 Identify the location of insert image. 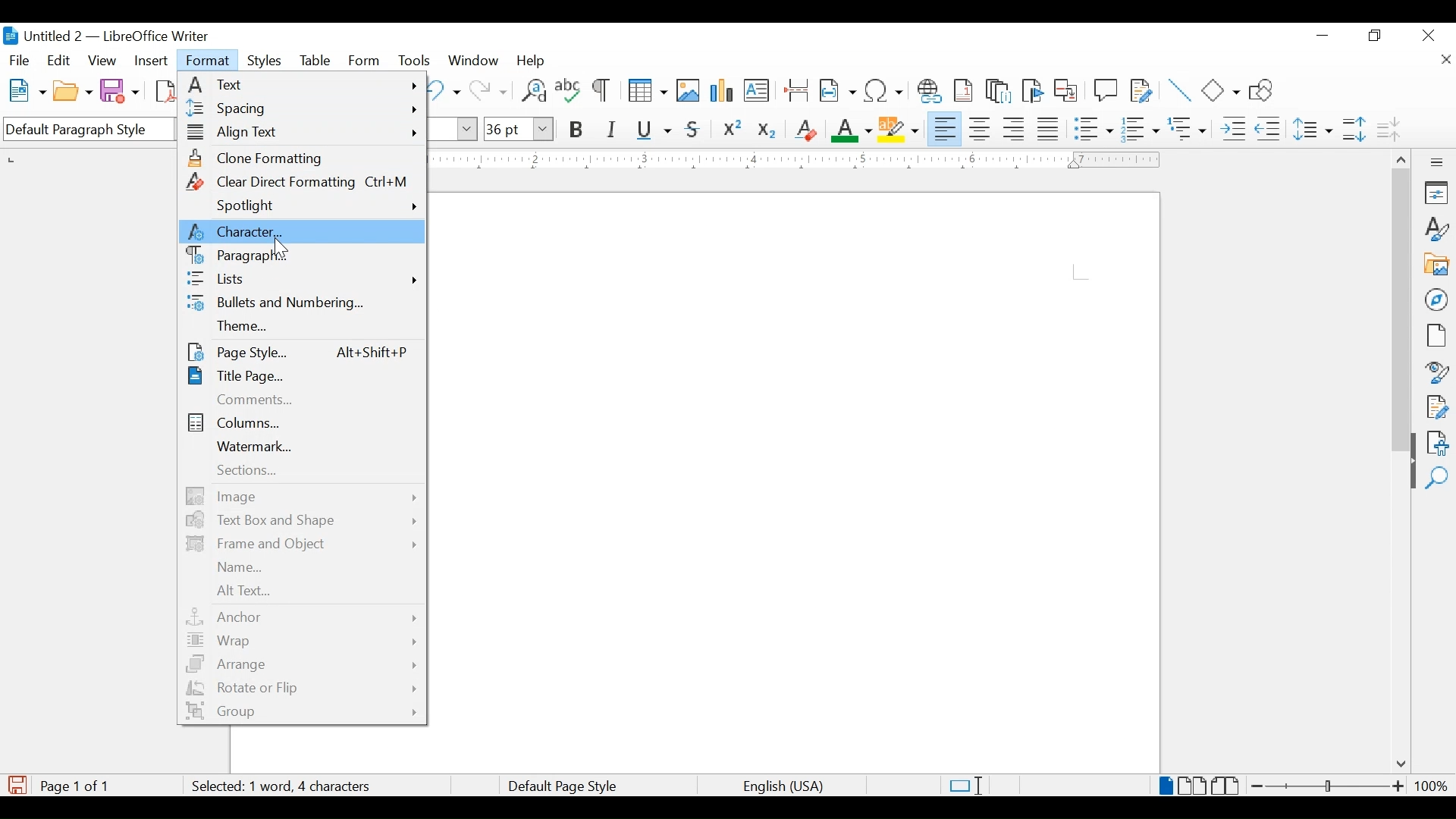
(689, 90).